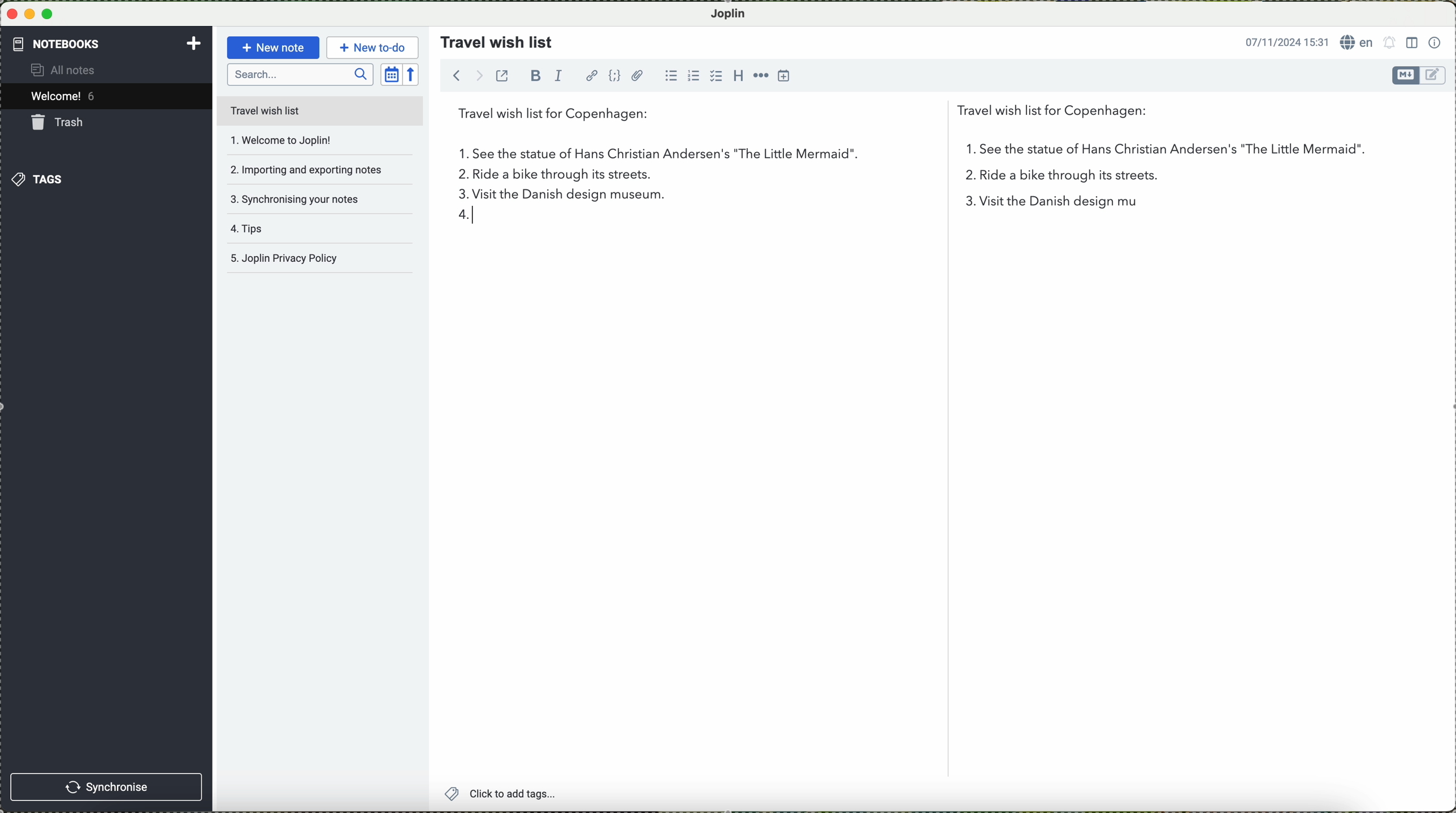 This screenshot has height=813, width=1456. What do you see at coordinates (50, 14) in the screenshot?
I see `maximize` at bounding box center [50, 14].